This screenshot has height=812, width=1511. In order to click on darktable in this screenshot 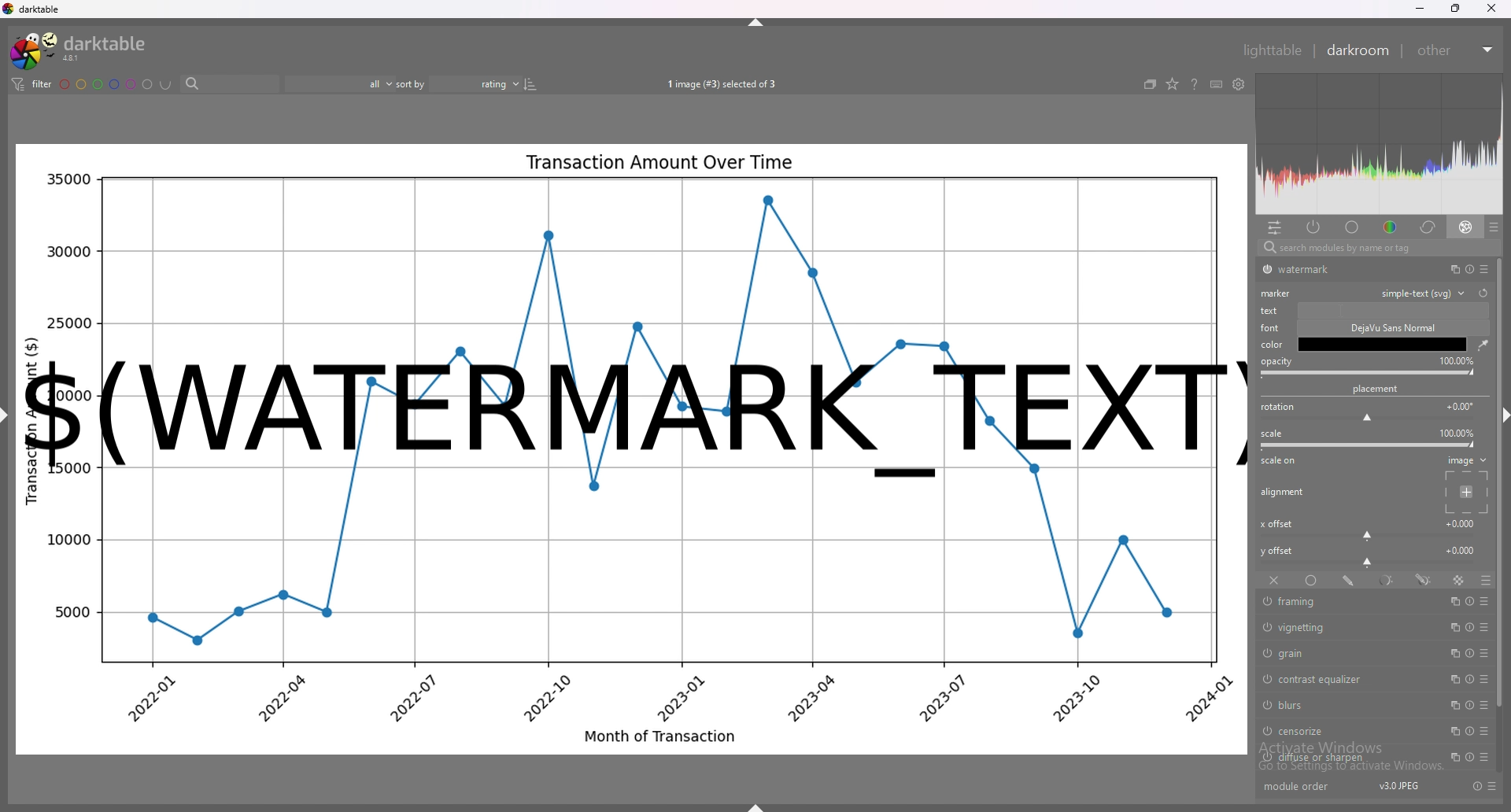, I will do `click(34, 9)`.